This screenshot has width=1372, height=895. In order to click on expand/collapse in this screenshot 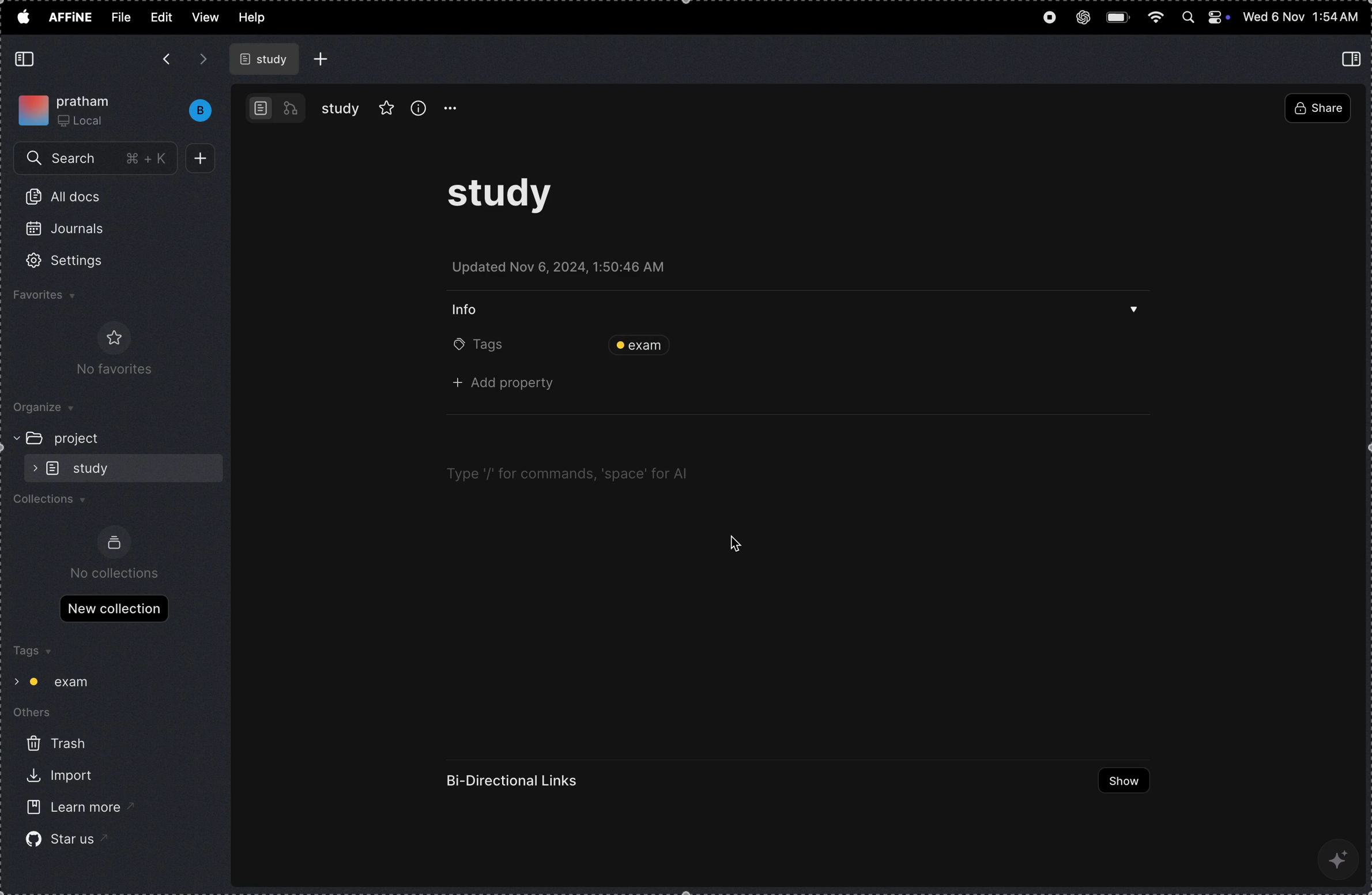, I will do `click(31, 468)`.